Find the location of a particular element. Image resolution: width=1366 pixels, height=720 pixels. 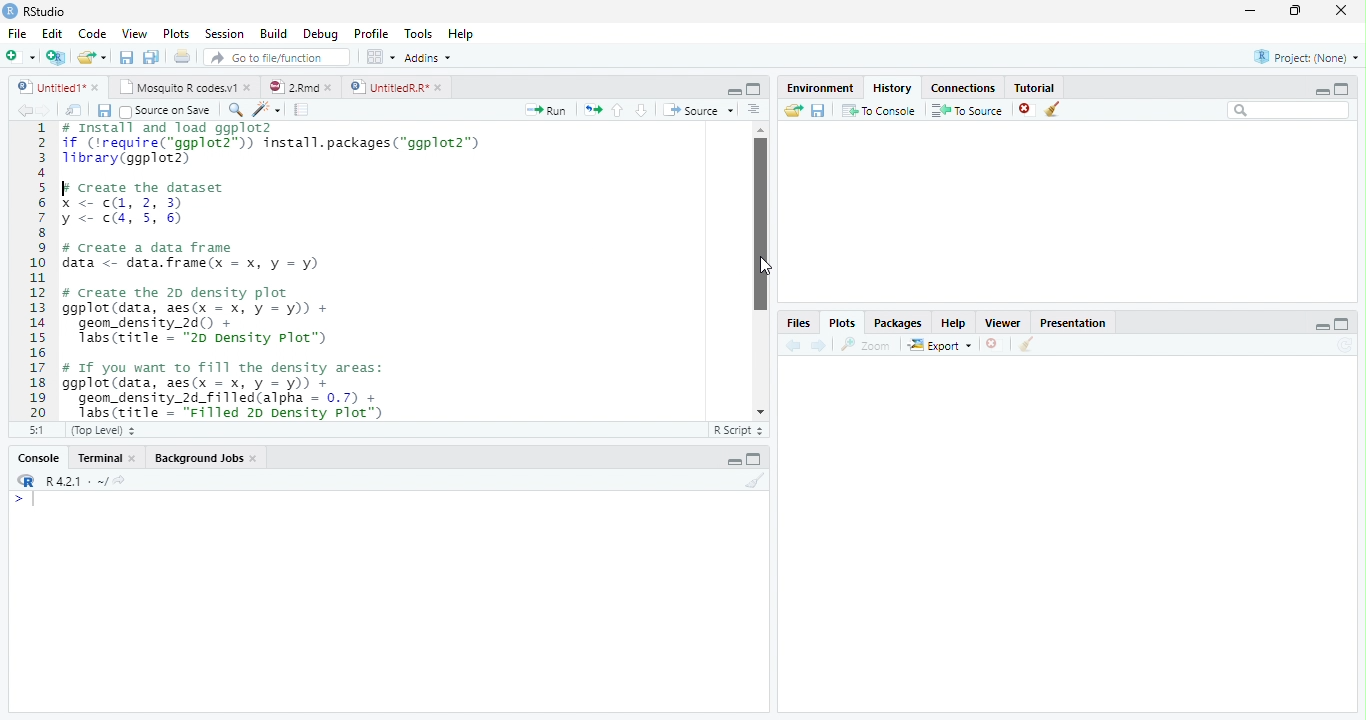

re-run the previous code is located at coordinates (592, 109).